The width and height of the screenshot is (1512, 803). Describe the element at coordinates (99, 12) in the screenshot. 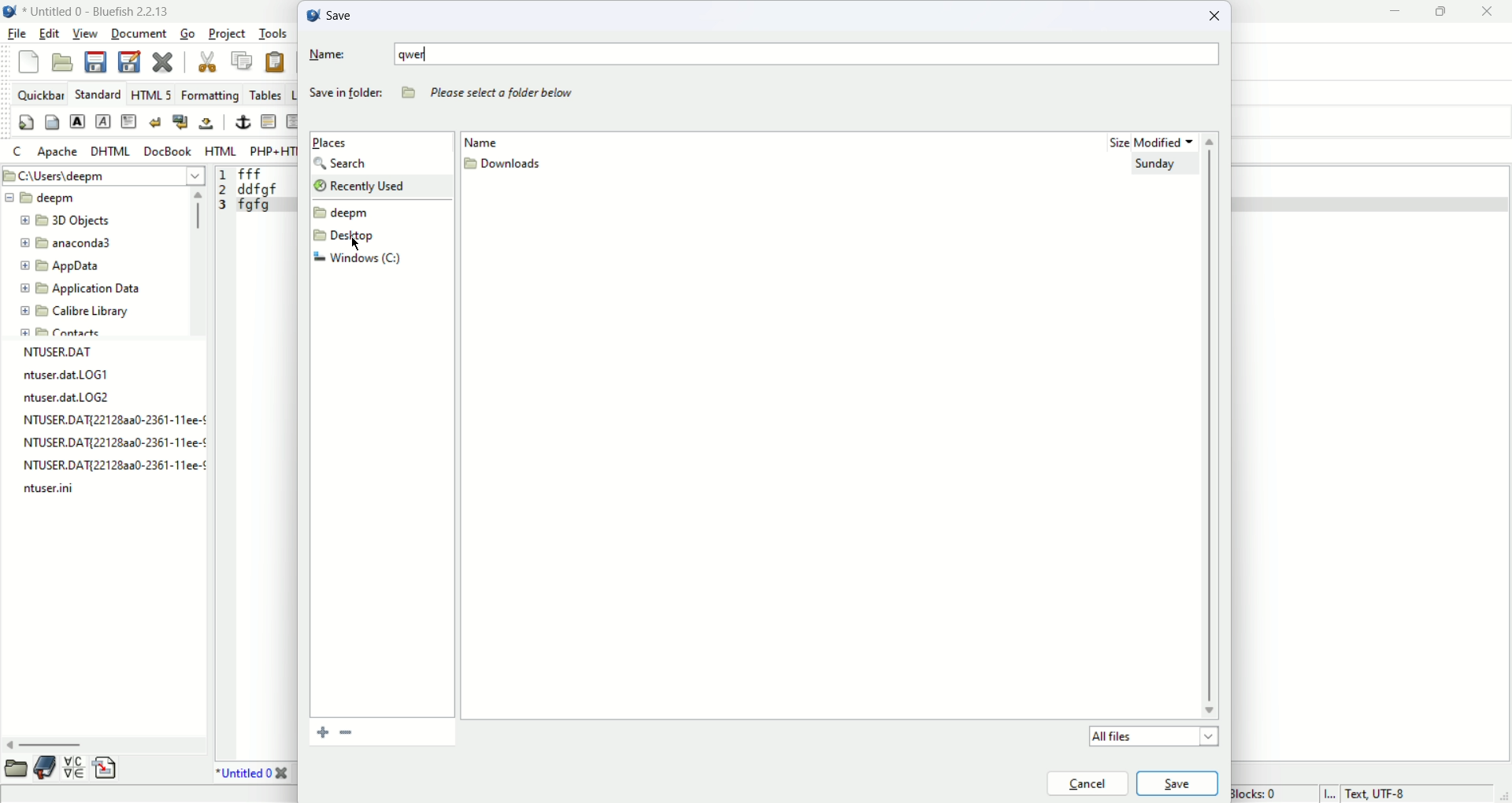

I see `Untitled 0 - Bluefish 2.2.13` at that location.